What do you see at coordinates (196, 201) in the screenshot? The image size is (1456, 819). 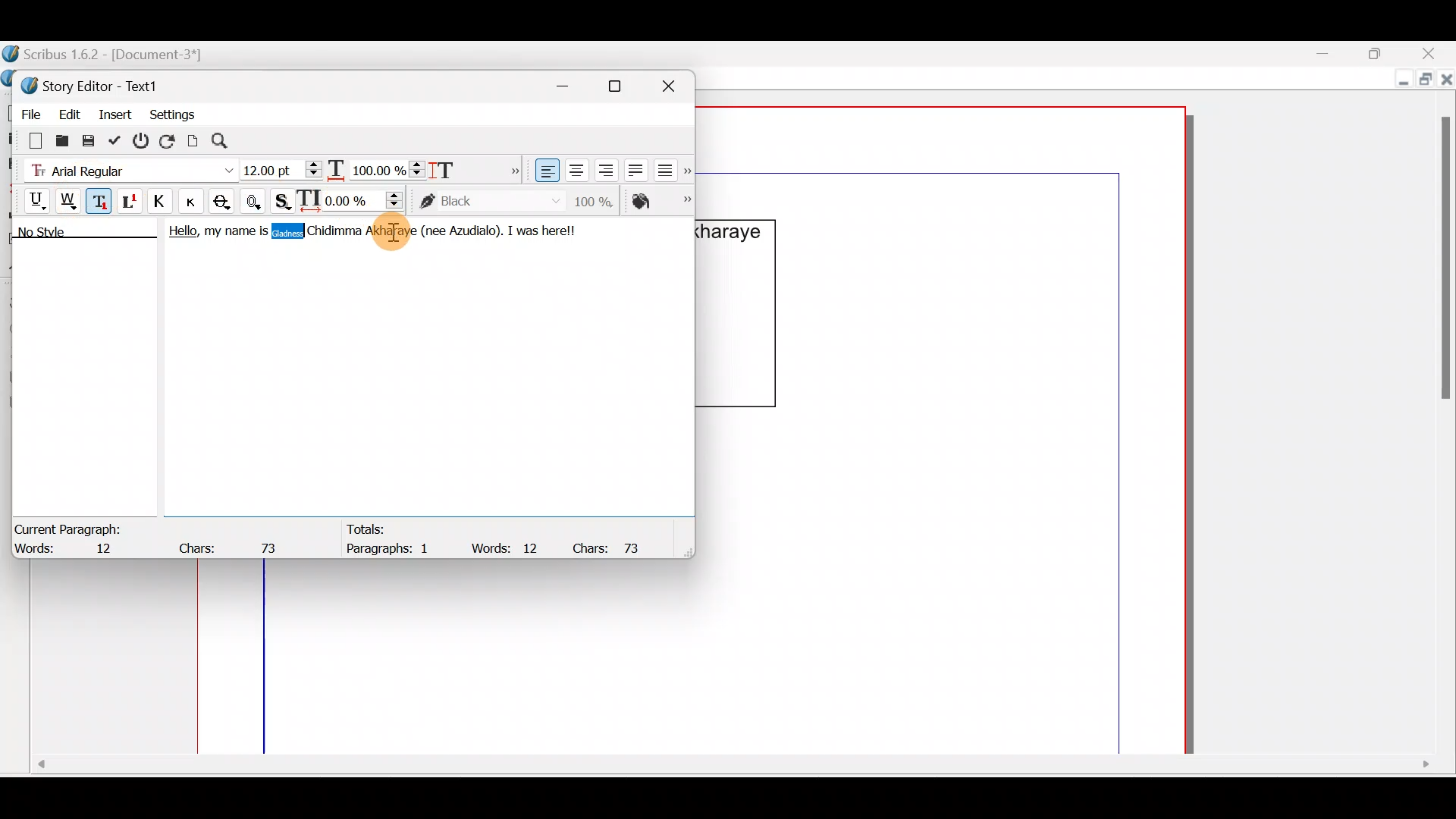 I see `` at bounding box center [196, 201].